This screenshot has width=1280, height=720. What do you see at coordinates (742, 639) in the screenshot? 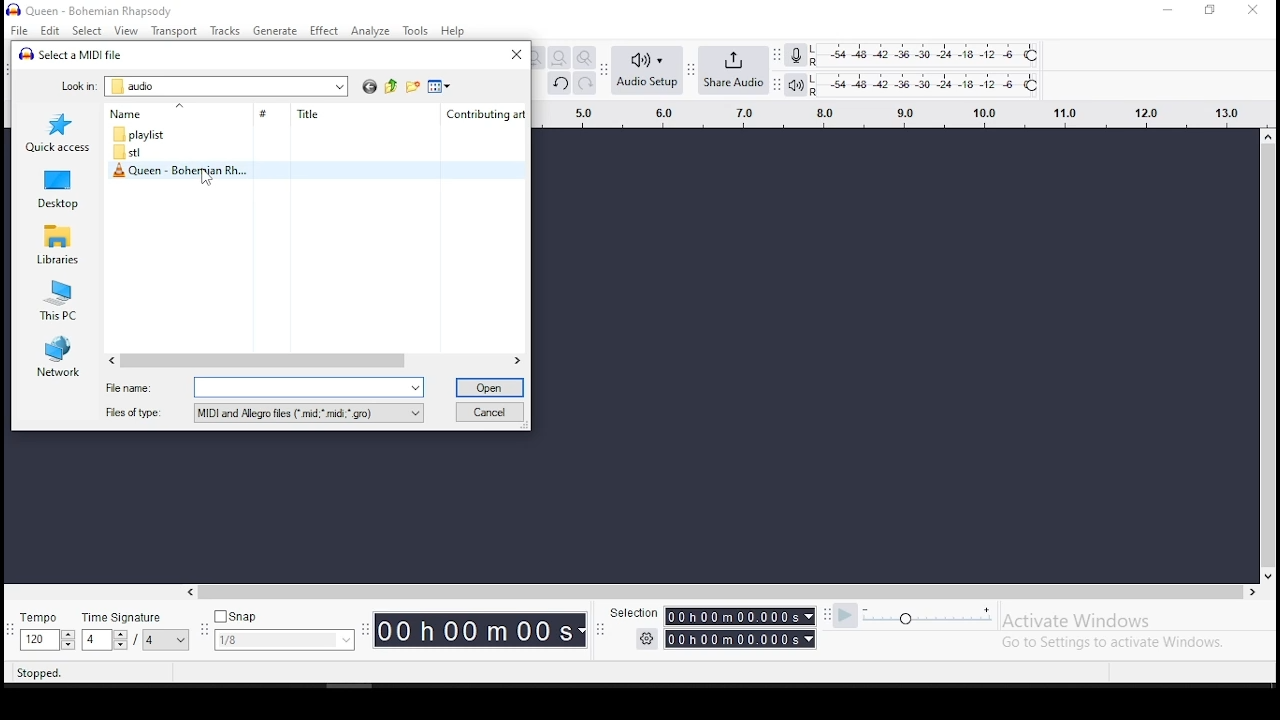
I see `00h00m00s` at bounding box center [742, 639].